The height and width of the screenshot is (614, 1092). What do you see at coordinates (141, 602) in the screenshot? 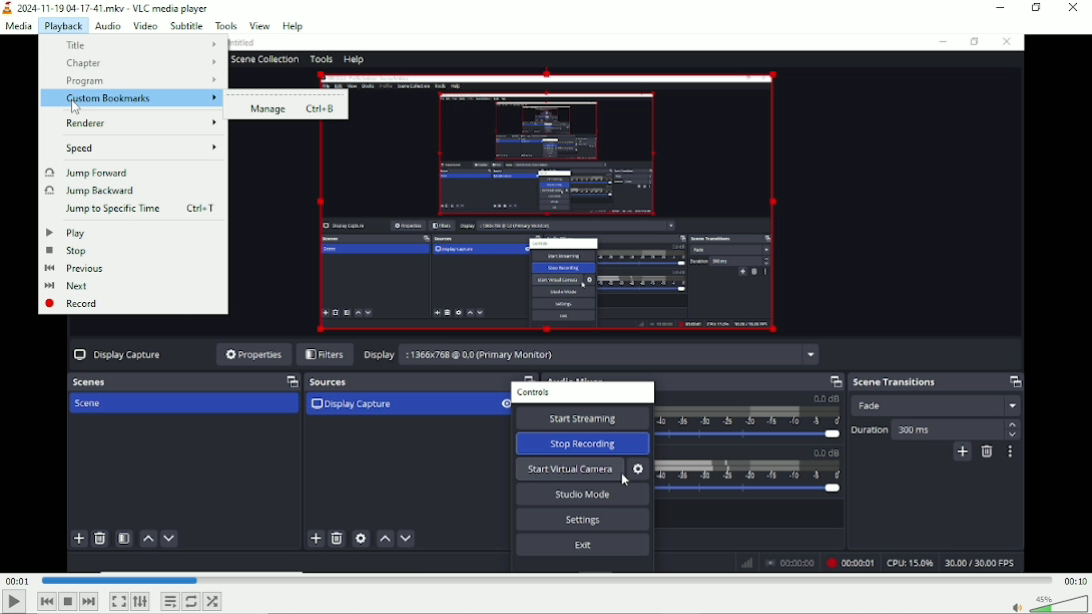
I see `Show extended settings` at bounding box center [141, 602].